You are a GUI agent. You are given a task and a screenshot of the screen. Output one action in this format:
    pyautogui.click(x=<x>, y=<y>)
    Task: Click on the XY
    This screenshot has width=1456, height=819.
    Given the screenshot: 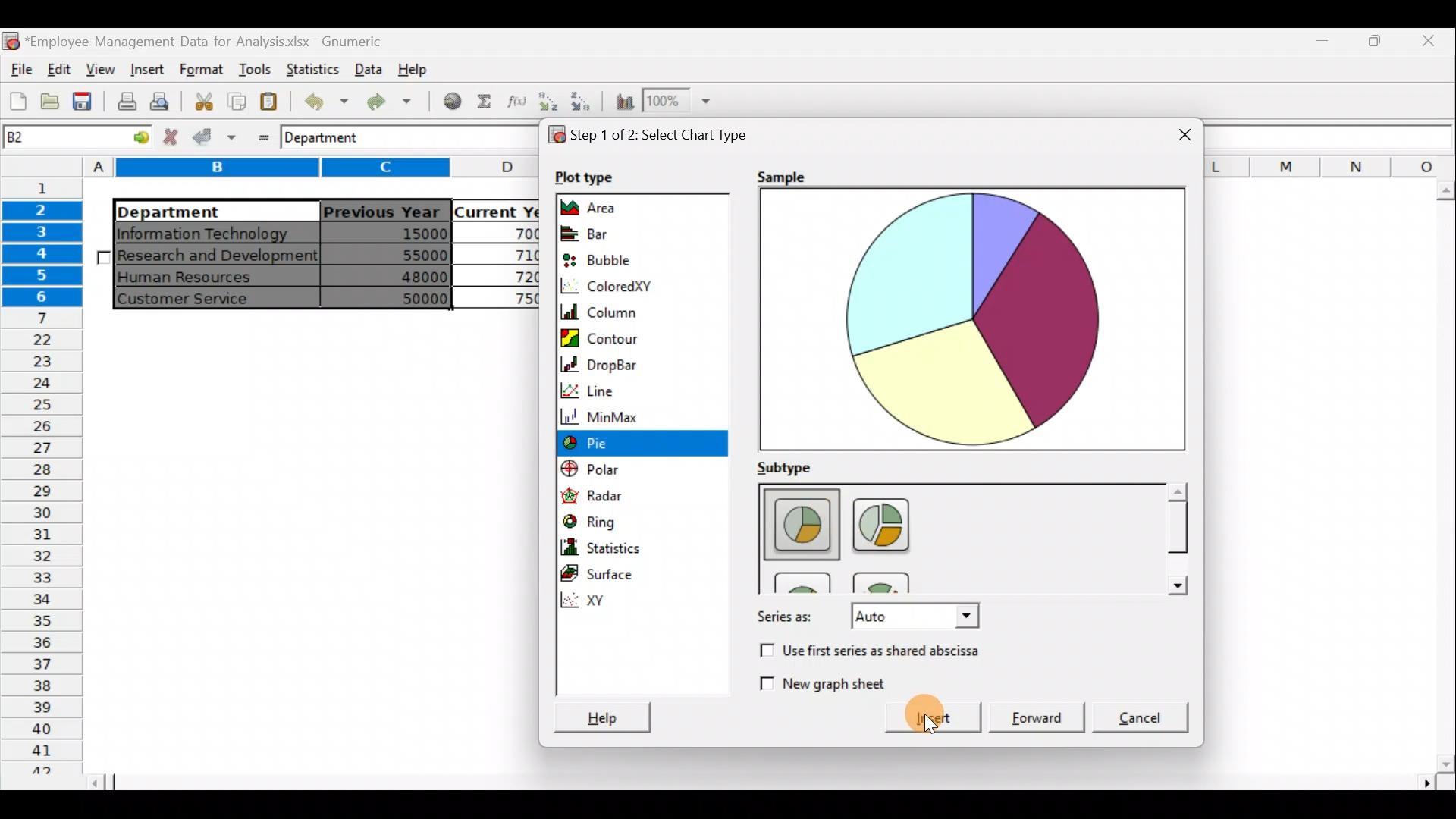 What is the action you would take?
    pyautogui.click(x=647, y=601)
    